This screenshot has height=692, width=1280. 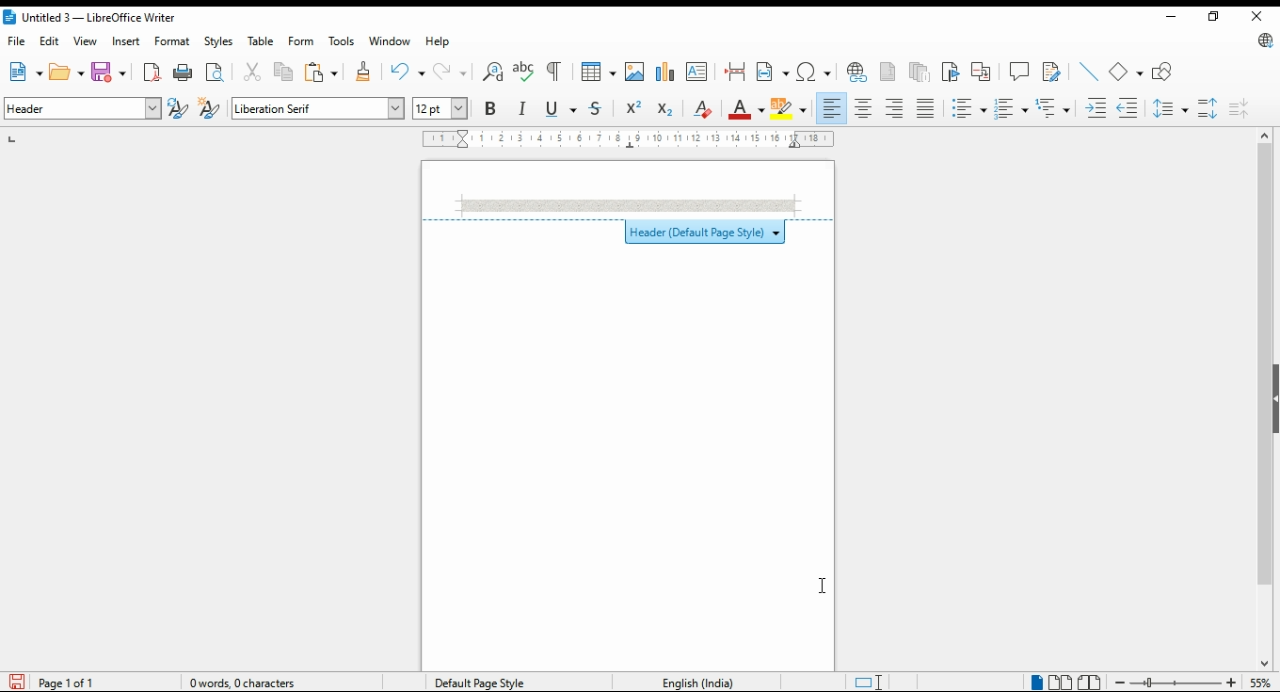 I want to click on new style from selection, so click(x=212, y=109).